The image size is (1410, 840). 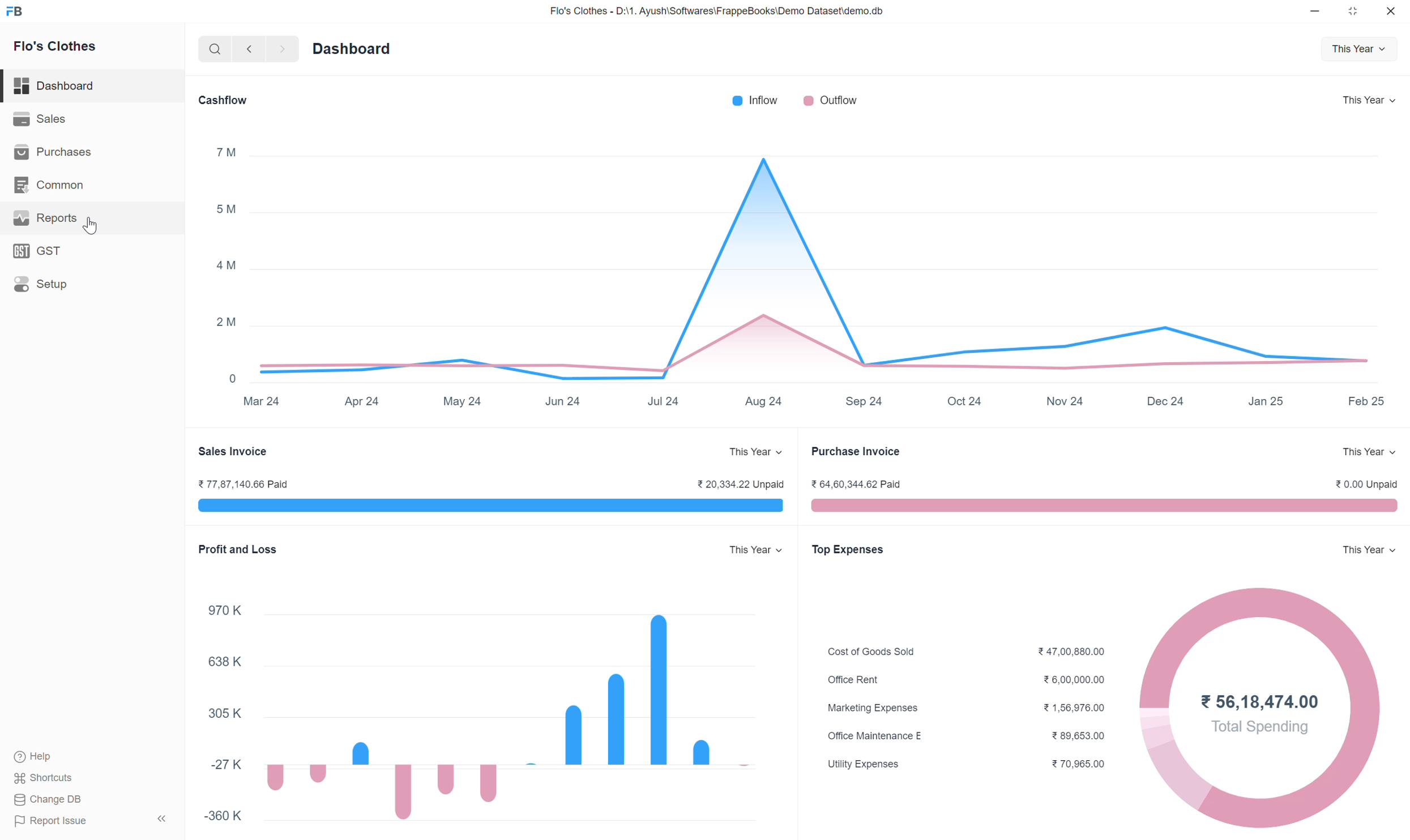 I want to click on 7M, so click(x=226, y=151).